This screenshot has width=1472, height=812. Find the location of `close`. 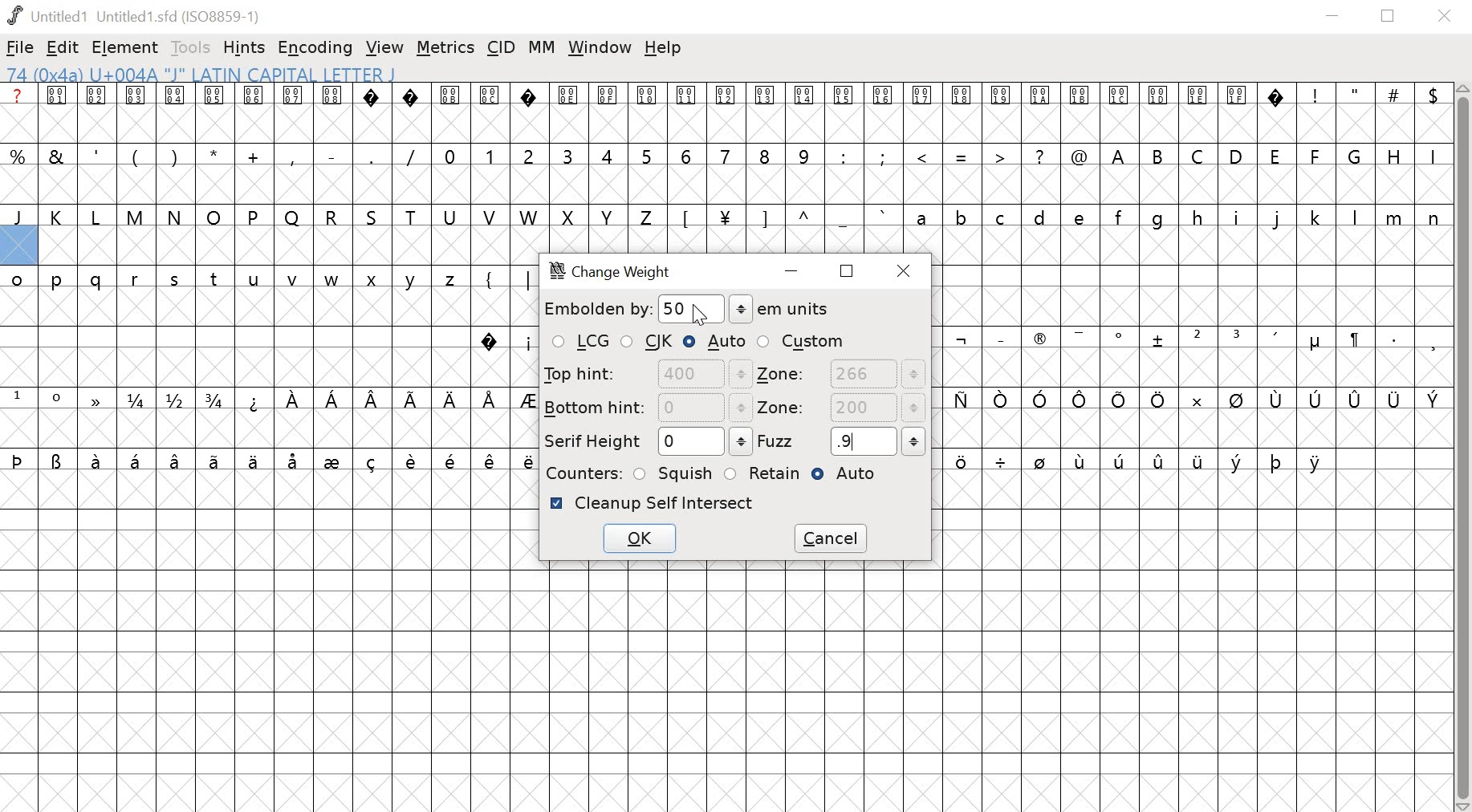

close is located at coordinates (907, 270).